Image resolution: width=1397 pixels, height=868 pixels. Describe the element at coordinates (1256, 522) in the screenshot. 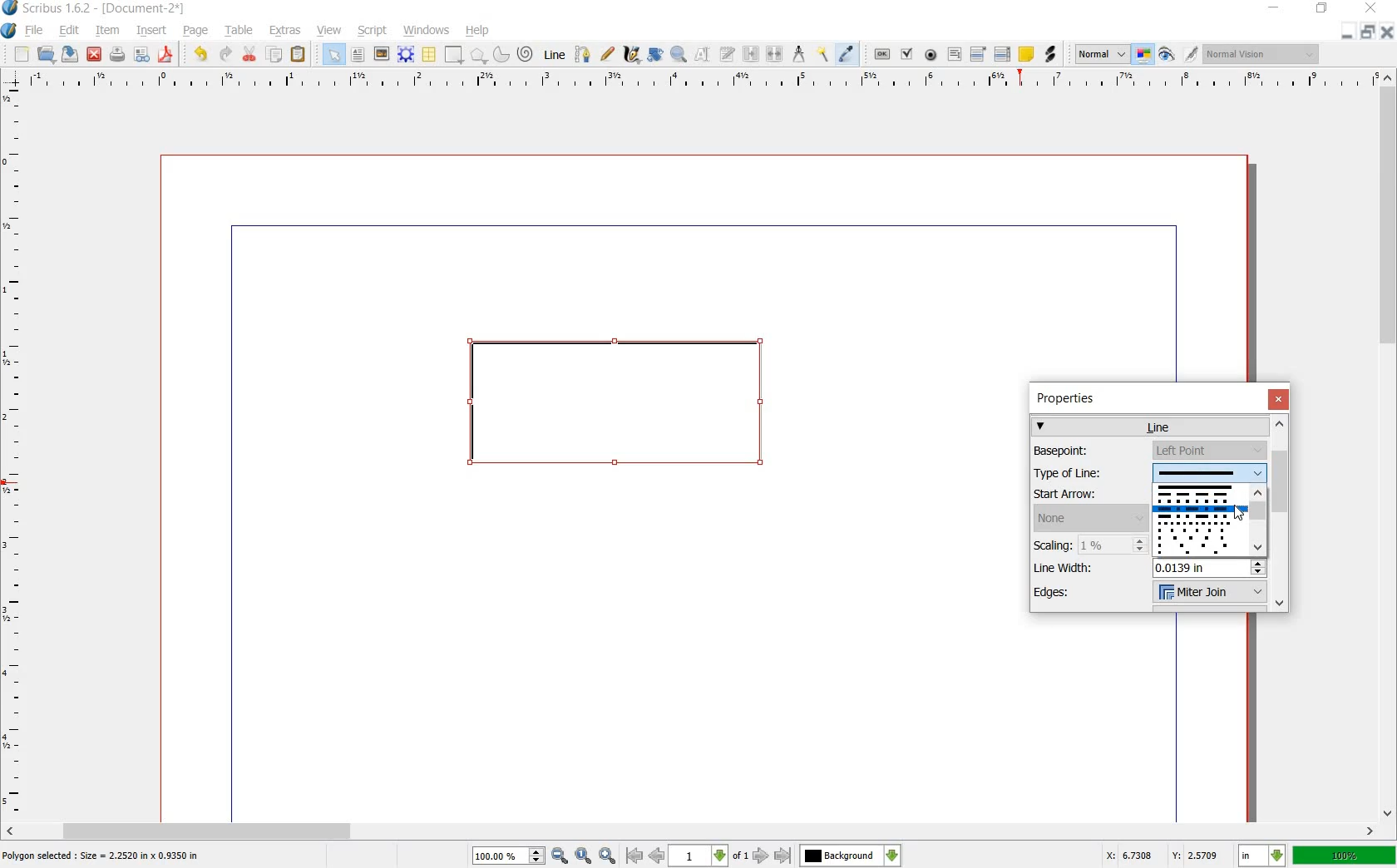

I see `scrollbar` at that location.